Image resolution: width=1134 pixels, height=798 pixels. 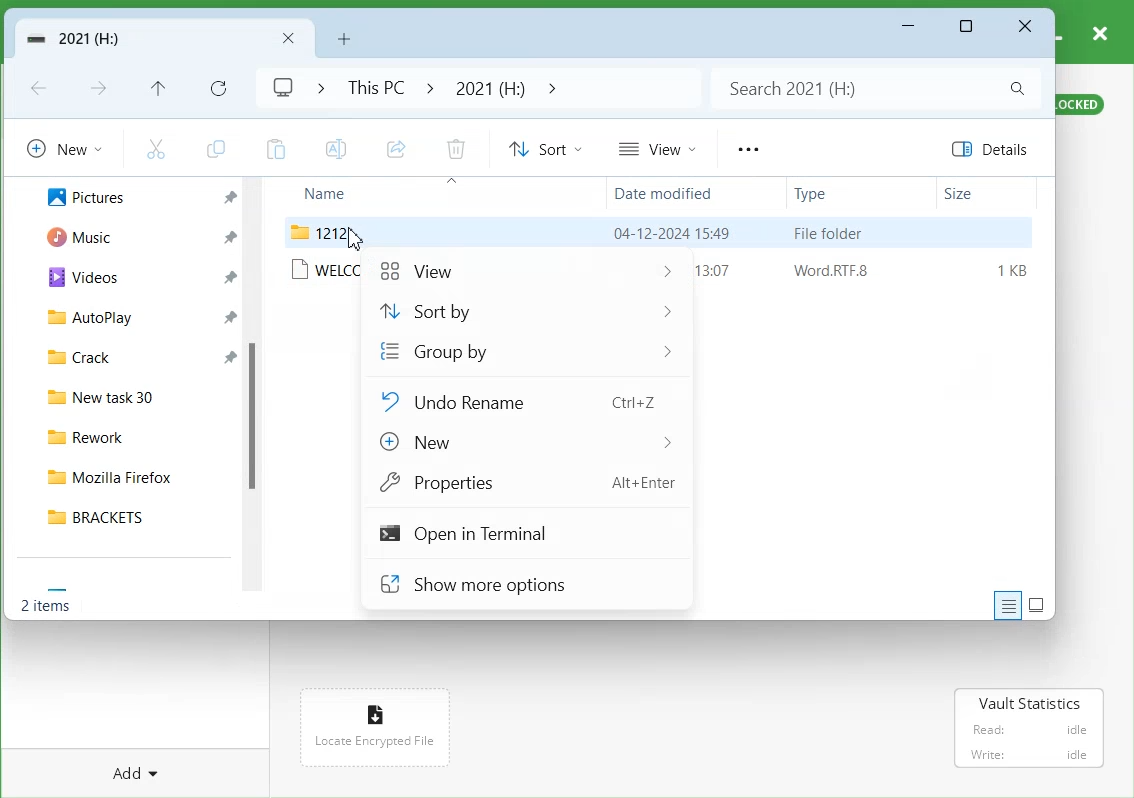 I want to click on Videos, so click(x=78, y=278).